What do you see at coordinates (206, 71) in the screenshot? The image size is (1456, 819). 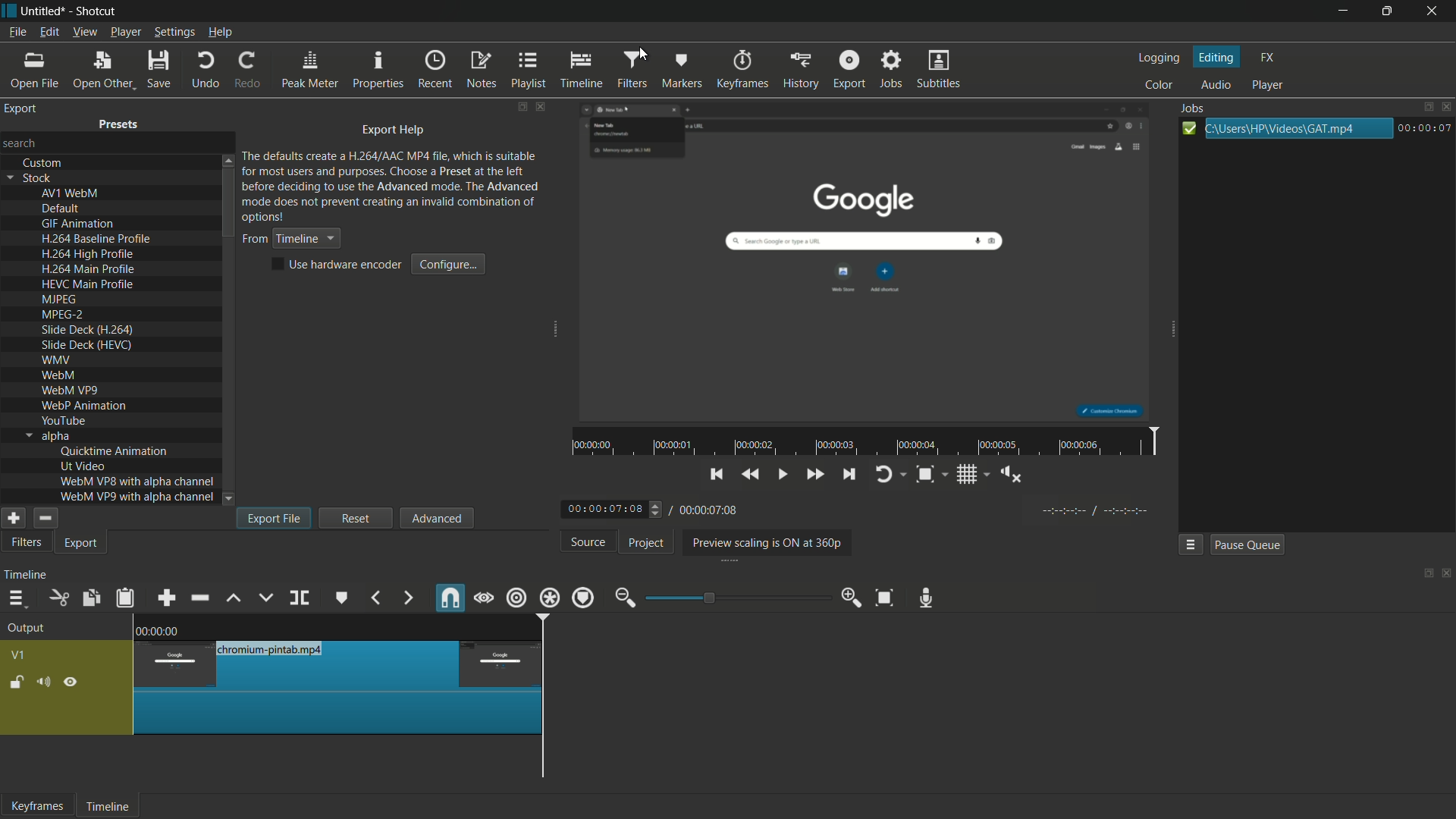 I see `undo` at bounding box center [206, 71].